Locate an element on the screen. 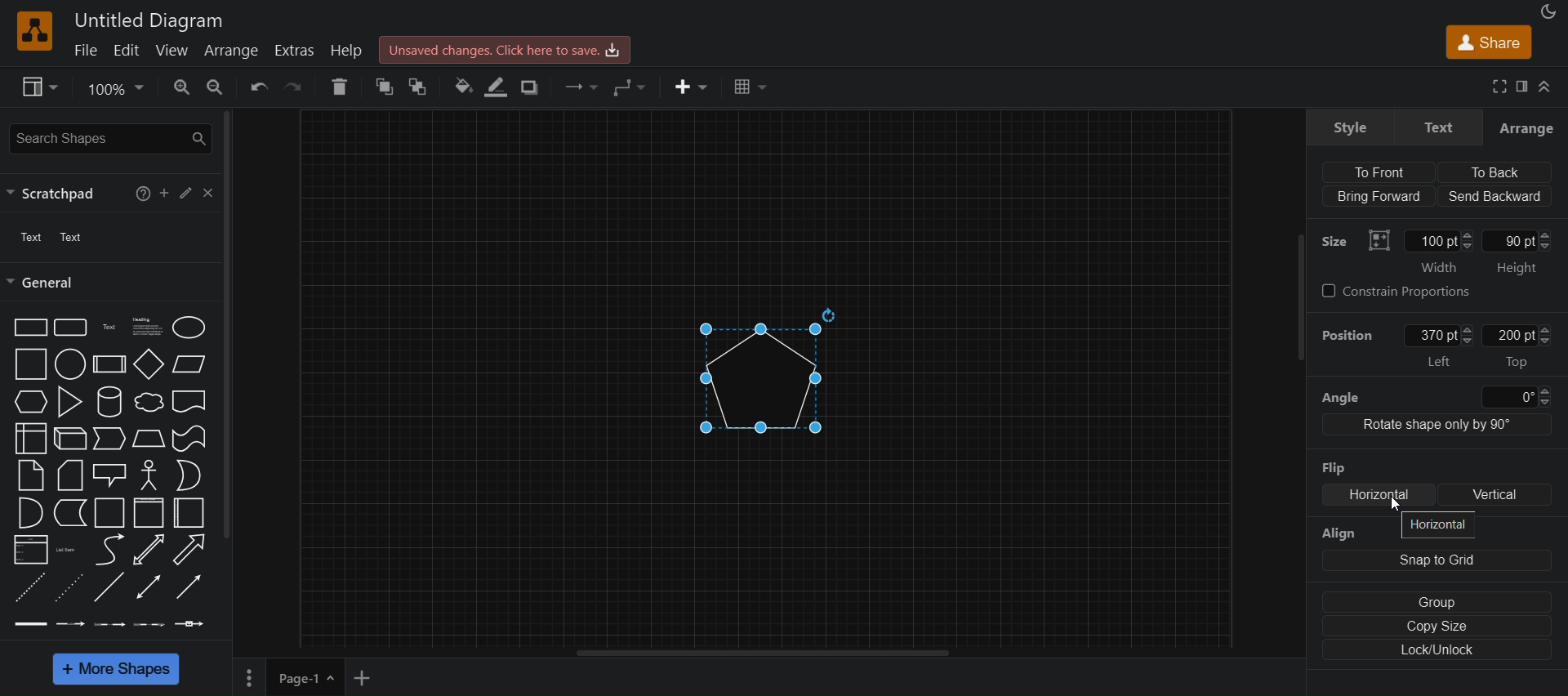 The width and height of the screenshot is (1568, 696). view is located at coordinates (176, 49).